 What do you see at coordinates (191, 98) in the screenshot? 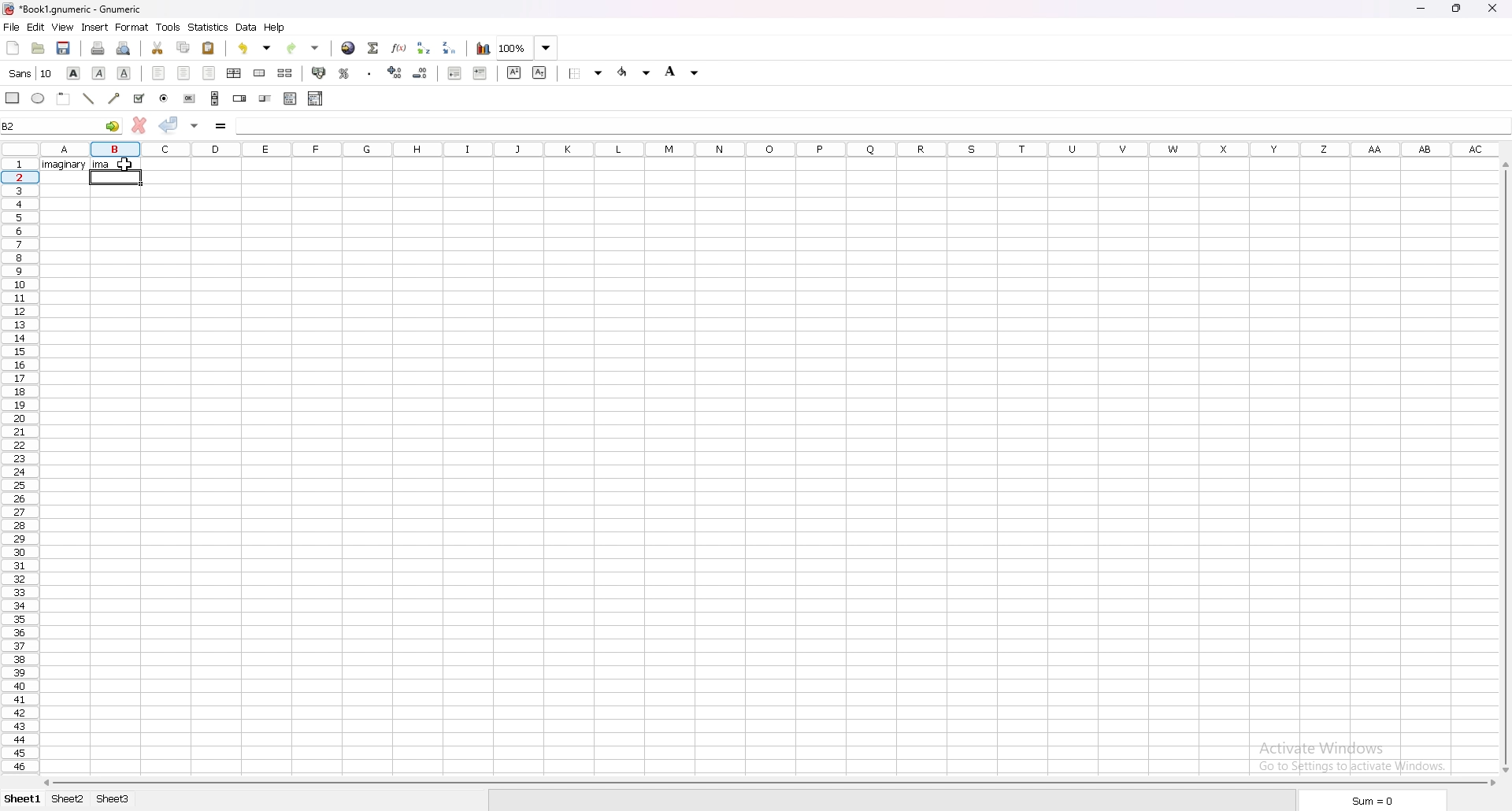
I see `button` at bounding box center [191, 98].